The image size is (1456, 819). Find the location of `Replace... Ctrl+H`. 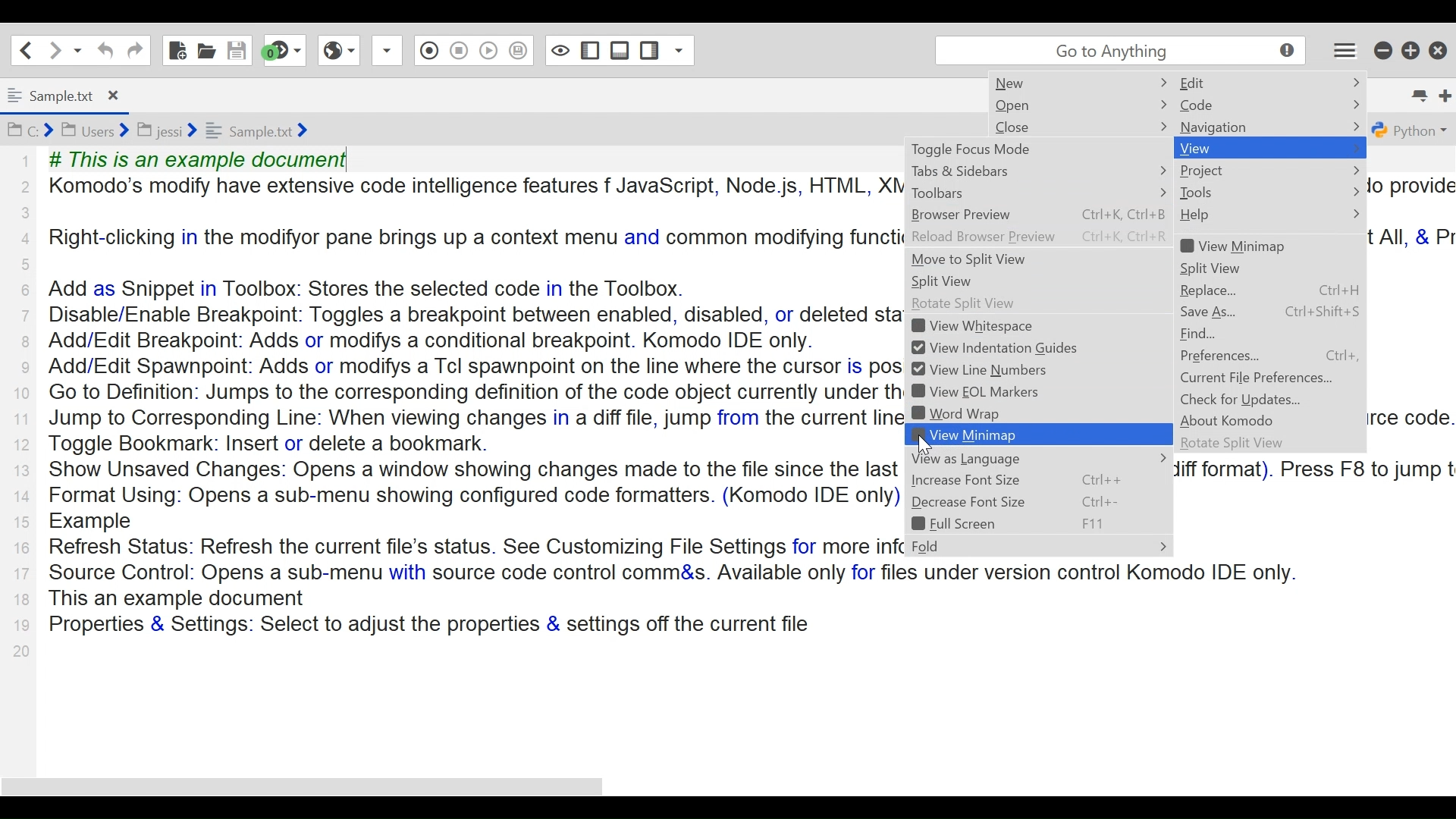

Replace... Ctrl+H is located at coordinates (1269, 290).